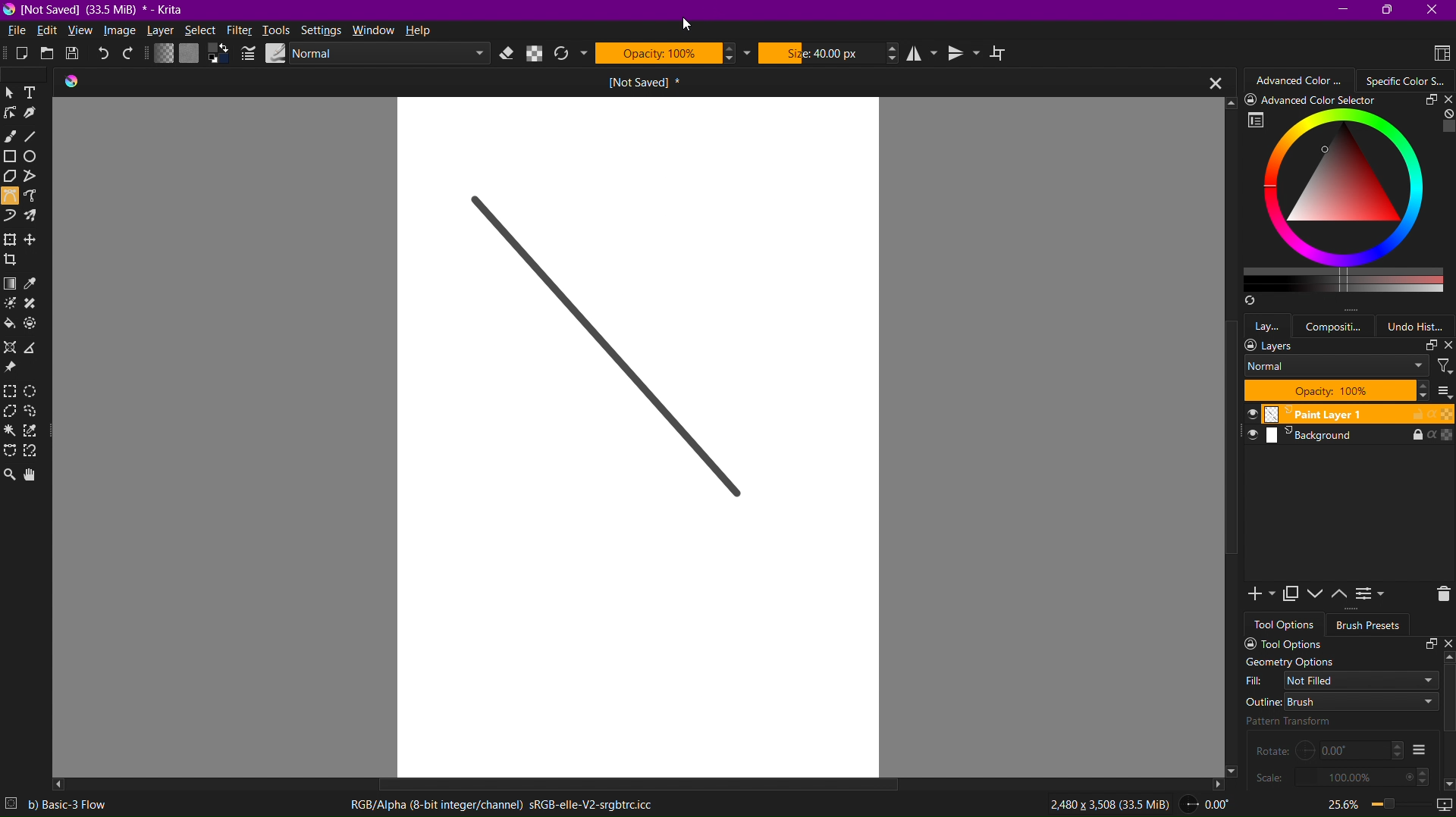 The width and height of the screenshot is (1456, 817). Describe the element at coordinates (1344, 643) in the screenshot. I see `Tool Options` at that location.